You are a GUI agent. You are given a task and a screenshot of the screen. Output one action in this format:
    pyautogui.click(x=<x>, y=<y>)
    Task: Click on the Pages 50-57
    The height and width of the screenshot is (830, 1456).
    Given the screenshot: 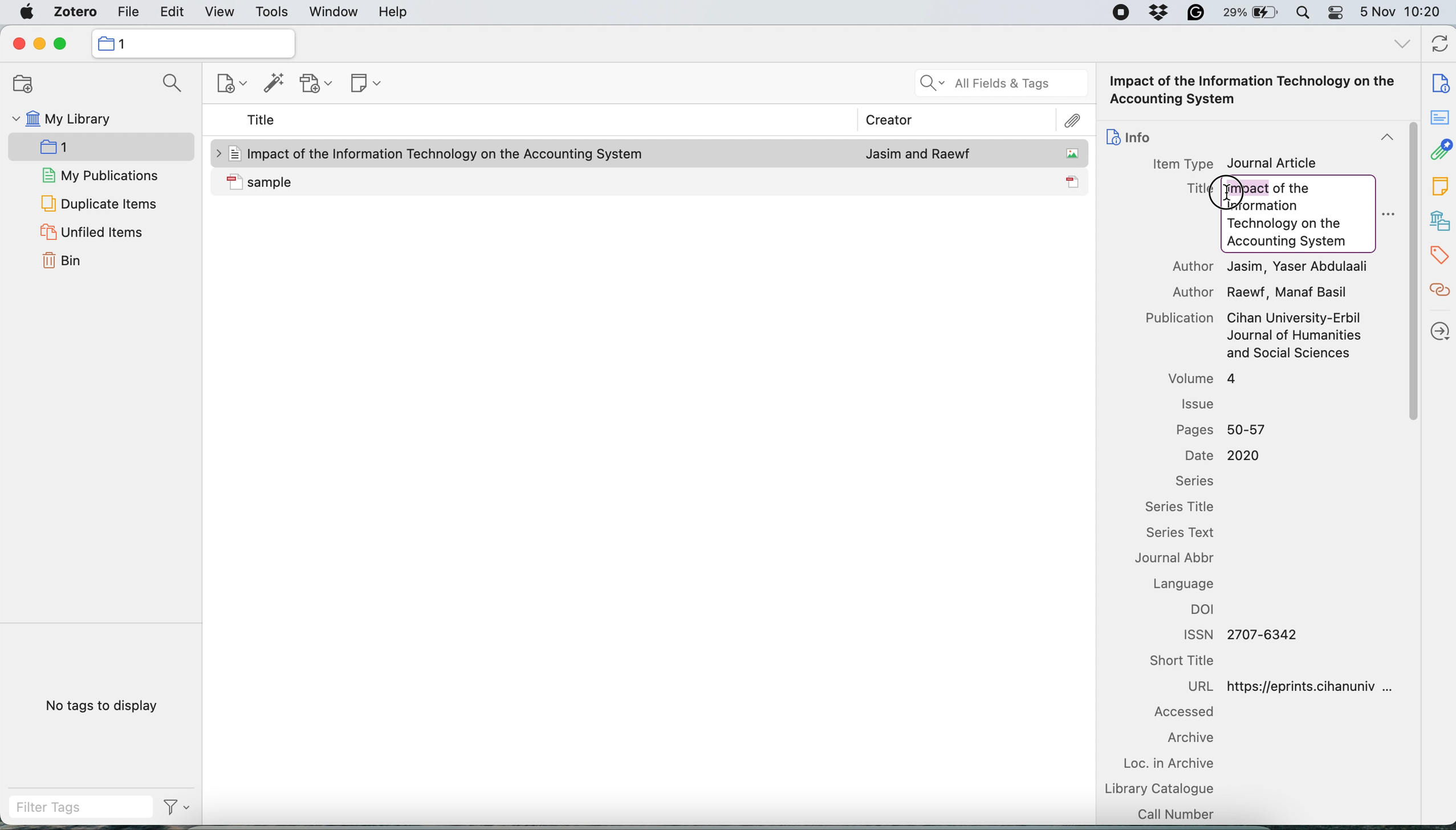 What is the action you would take?
    pyautogui.click(x=1220, y=430)
    